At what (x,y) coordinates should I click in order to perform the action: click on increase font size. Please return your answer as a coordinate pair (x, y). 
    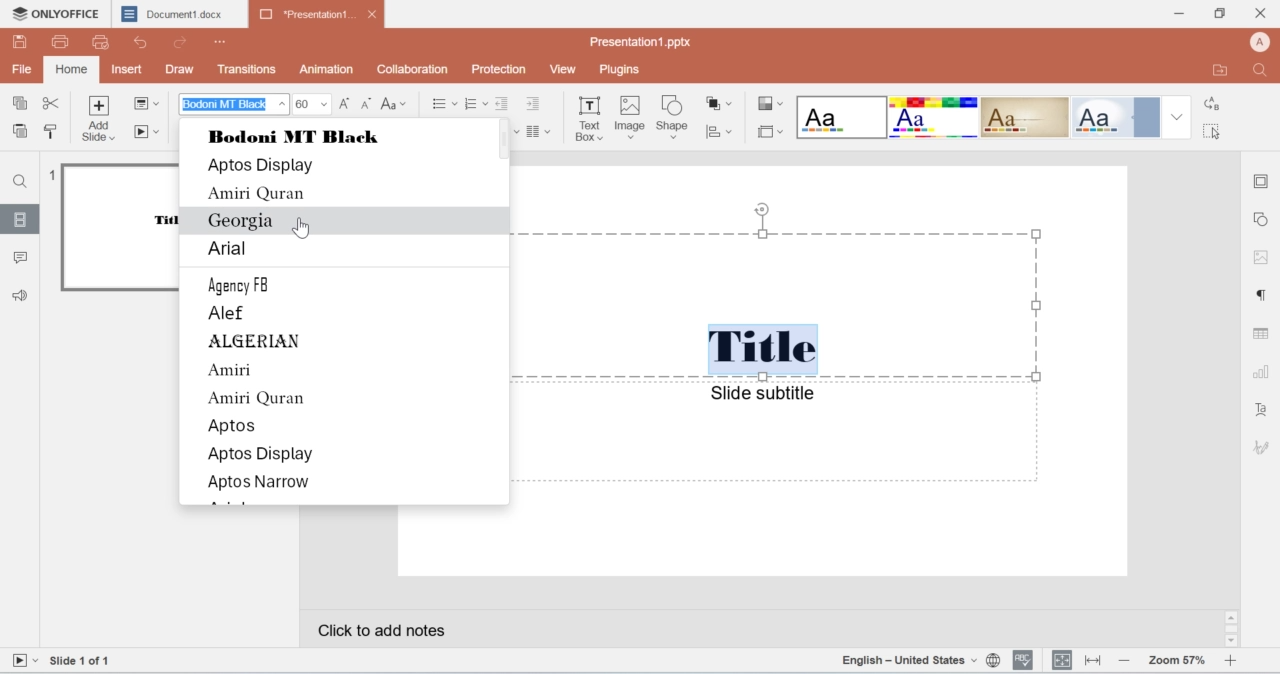
    Looking at the image, I should click on (347, 106).